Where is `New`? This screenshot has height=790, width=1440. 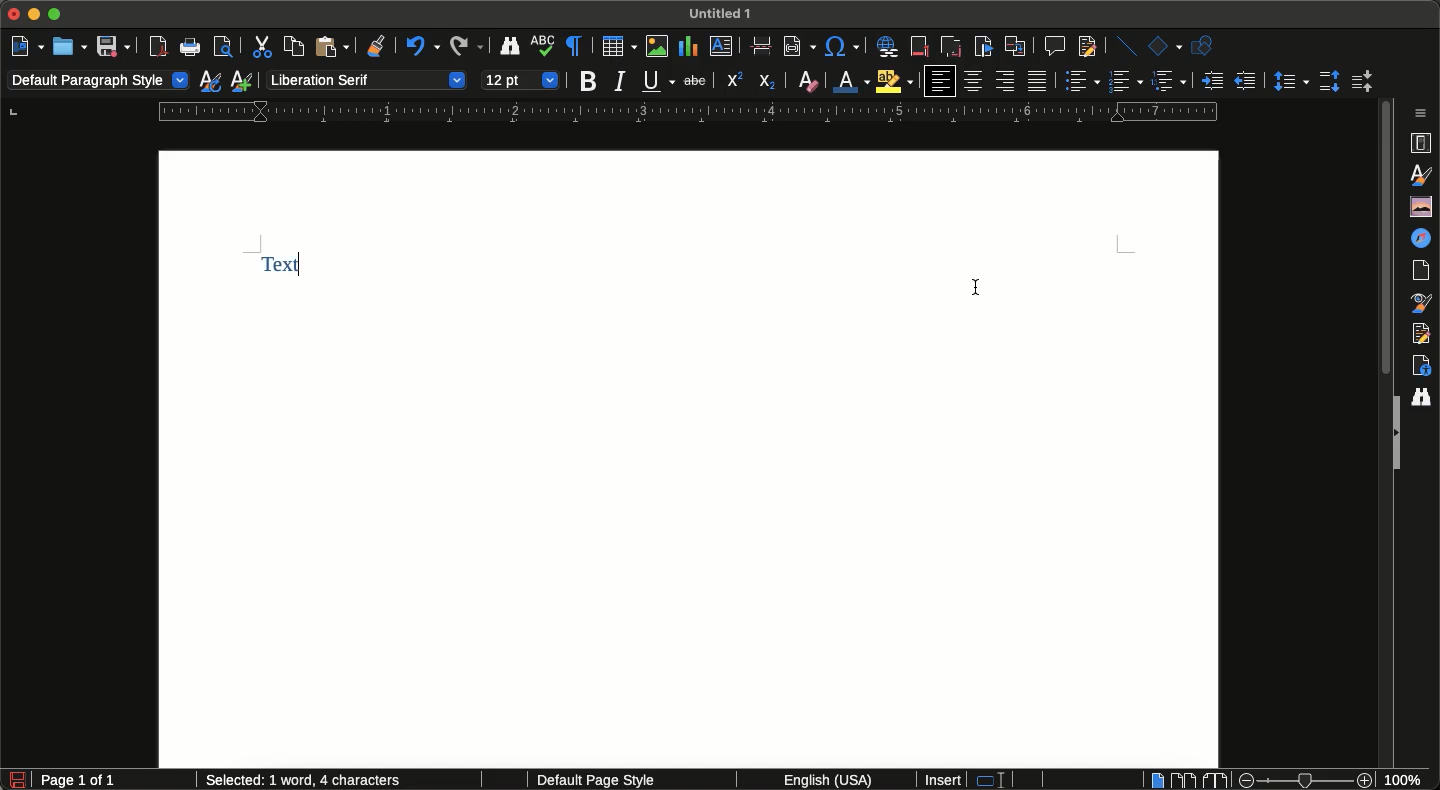
New is located at coordinates (27, 44).